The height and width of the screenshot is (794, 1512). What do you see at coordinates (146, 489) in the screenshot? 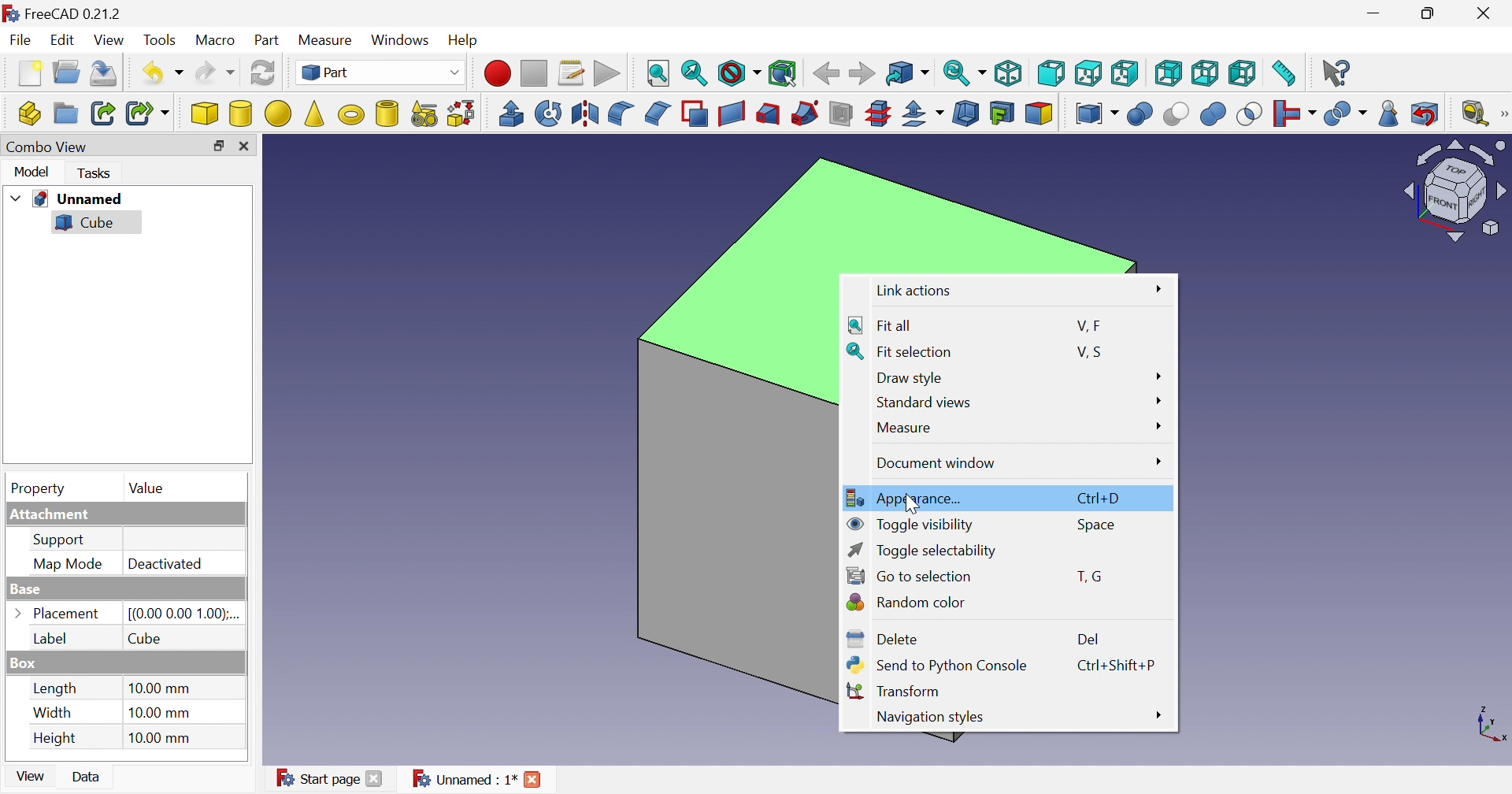
I see `Value` at bounding box center [146, 489].